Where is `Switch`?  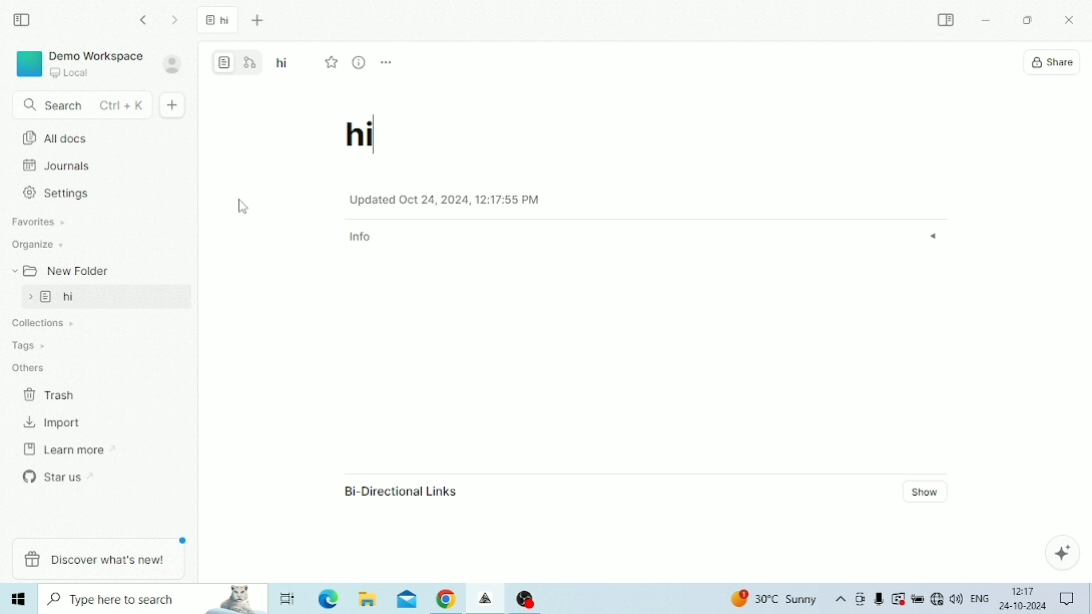 Switch is located at coordinates (238, 61).